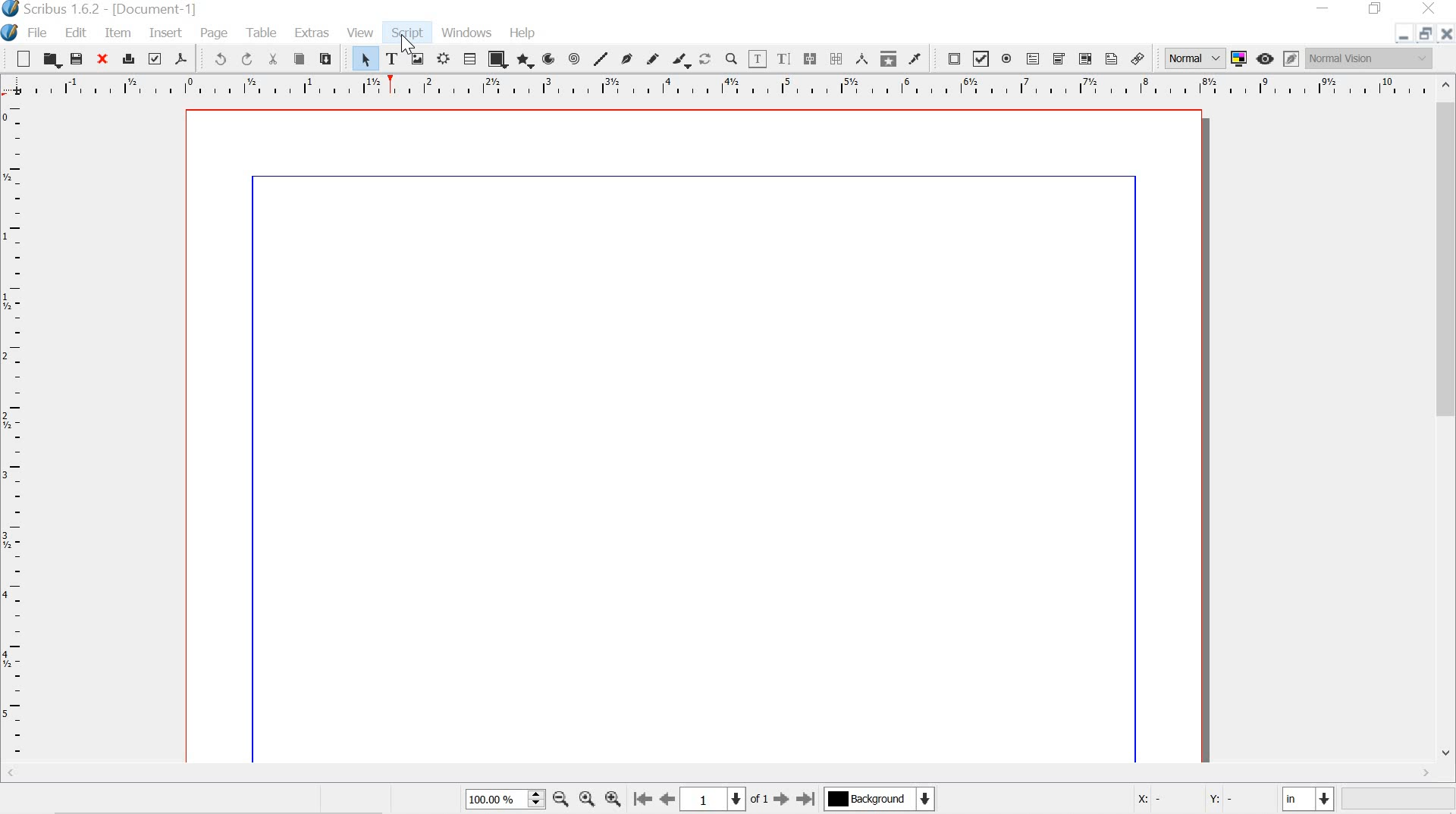 The image size is (1456, 814). I want to click on edit, so click(75, 32).